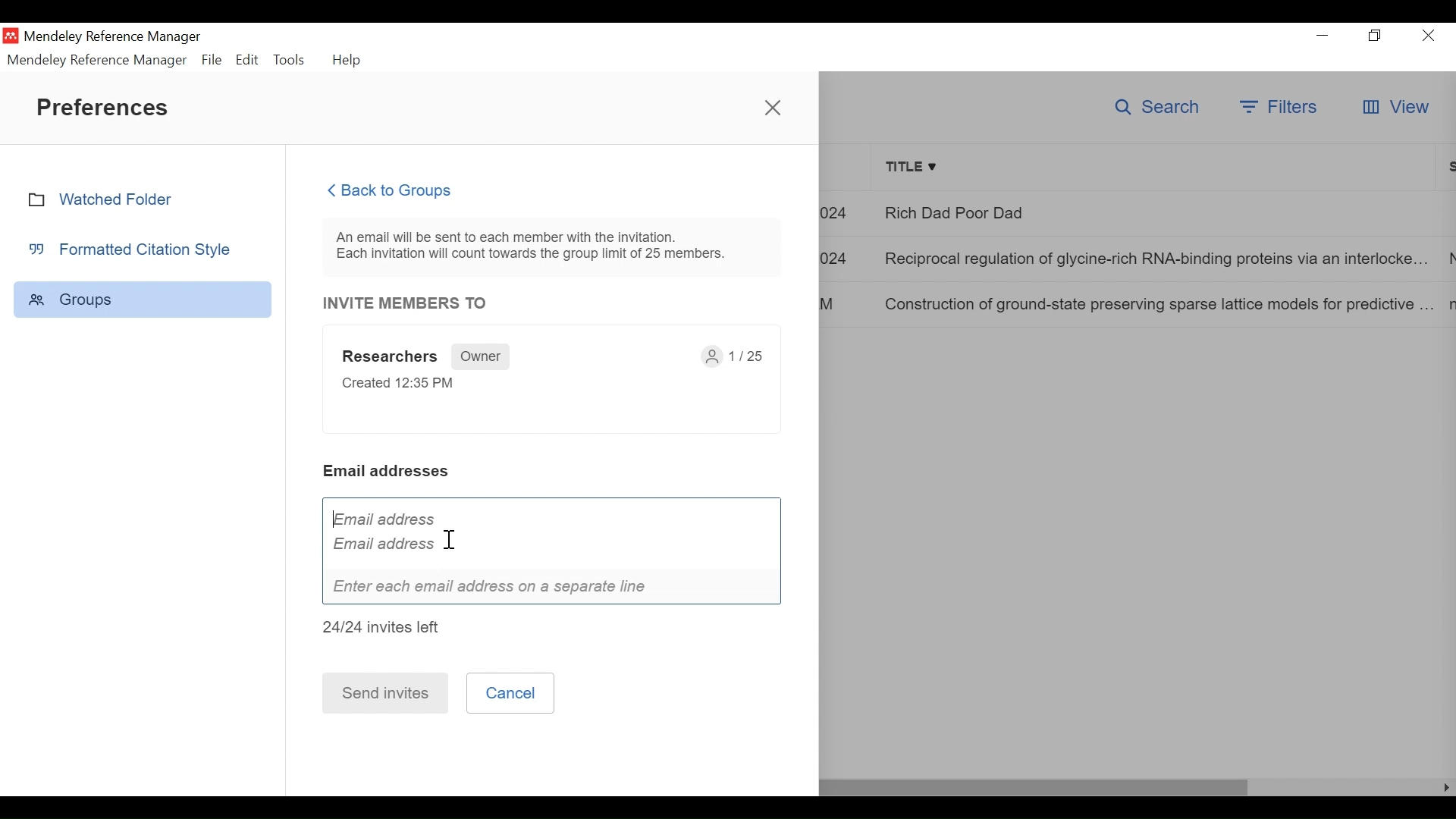 This screenshot has height=819, width=1456. Describe the element at coordinates (394, 387) in the screenshot. I see `Created 12:35 PM` at that location.